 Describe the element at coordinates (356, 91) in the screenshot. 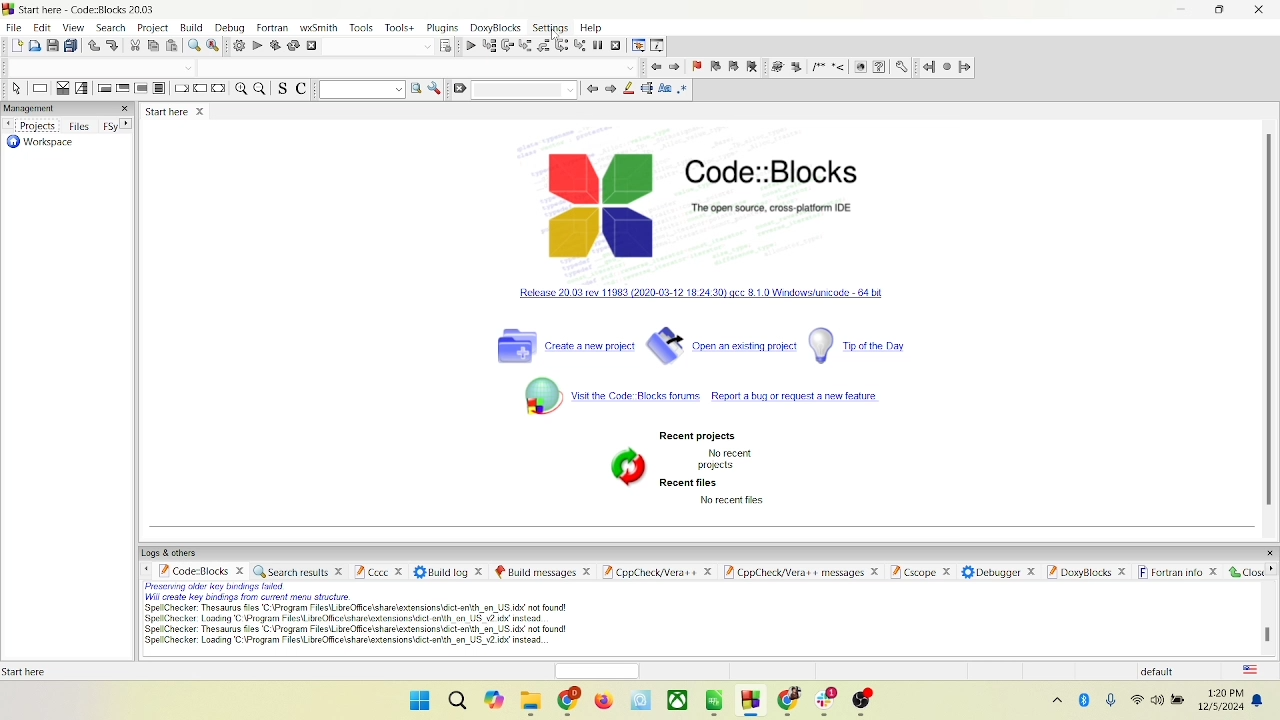

I see `text search` at that location.